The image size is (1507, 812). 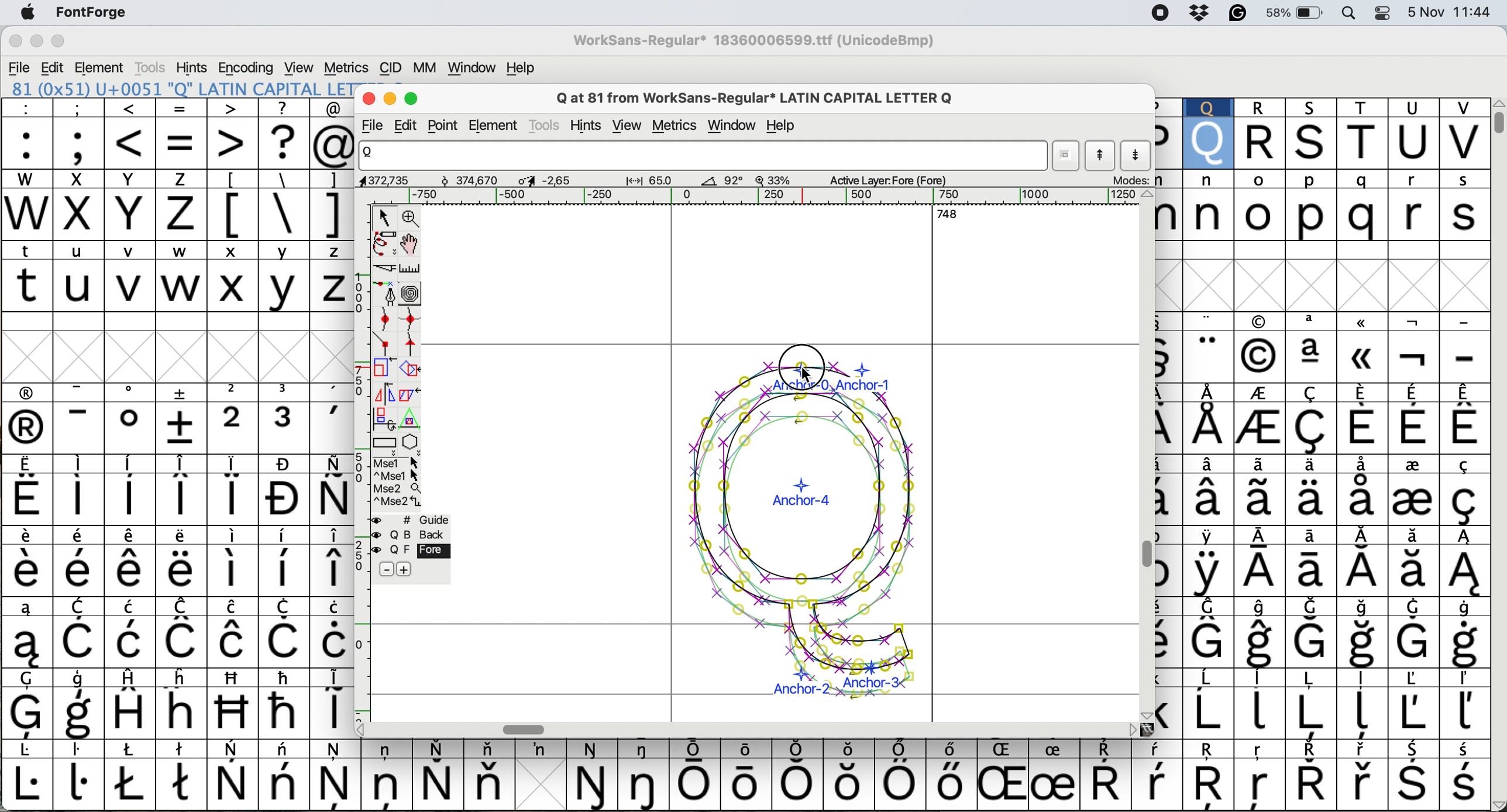 I want to click on uppercase letters, so click(x=113, y=216).